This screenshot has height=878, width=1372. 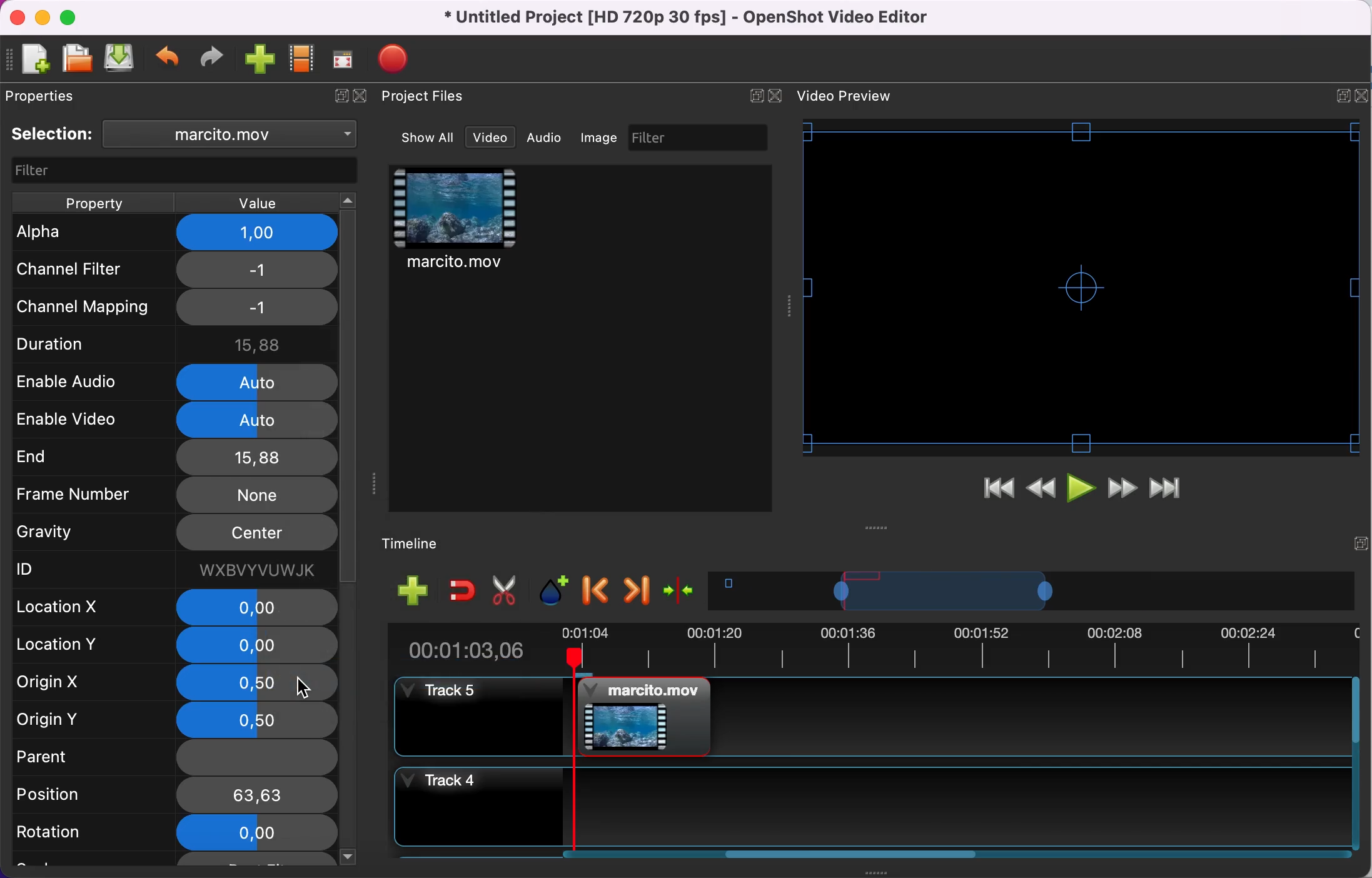 I want to click on value, so click(x=255, y=203).